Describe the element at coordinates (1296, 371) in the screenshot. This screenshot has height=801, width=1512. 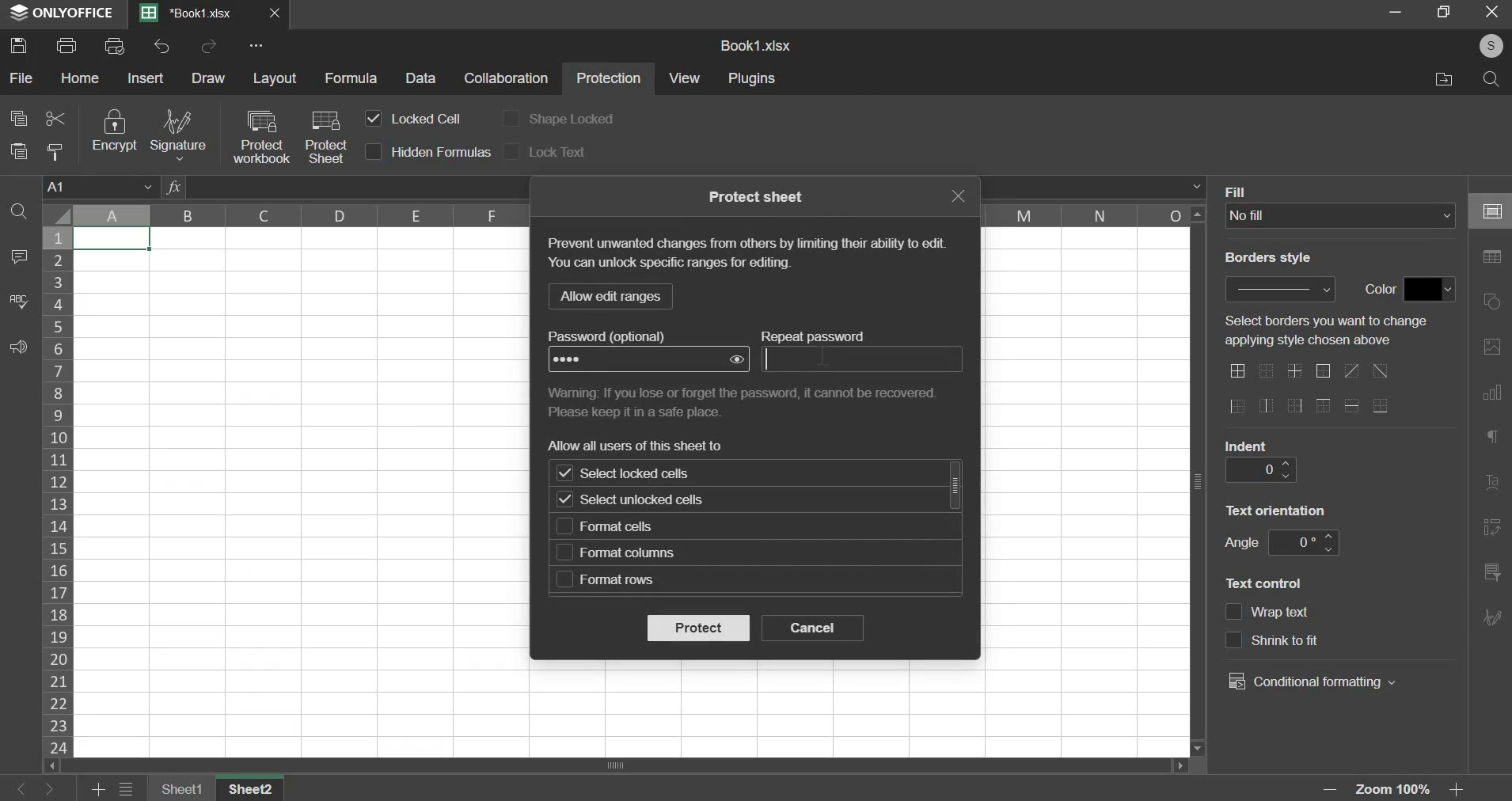
I see `border options` at that location.